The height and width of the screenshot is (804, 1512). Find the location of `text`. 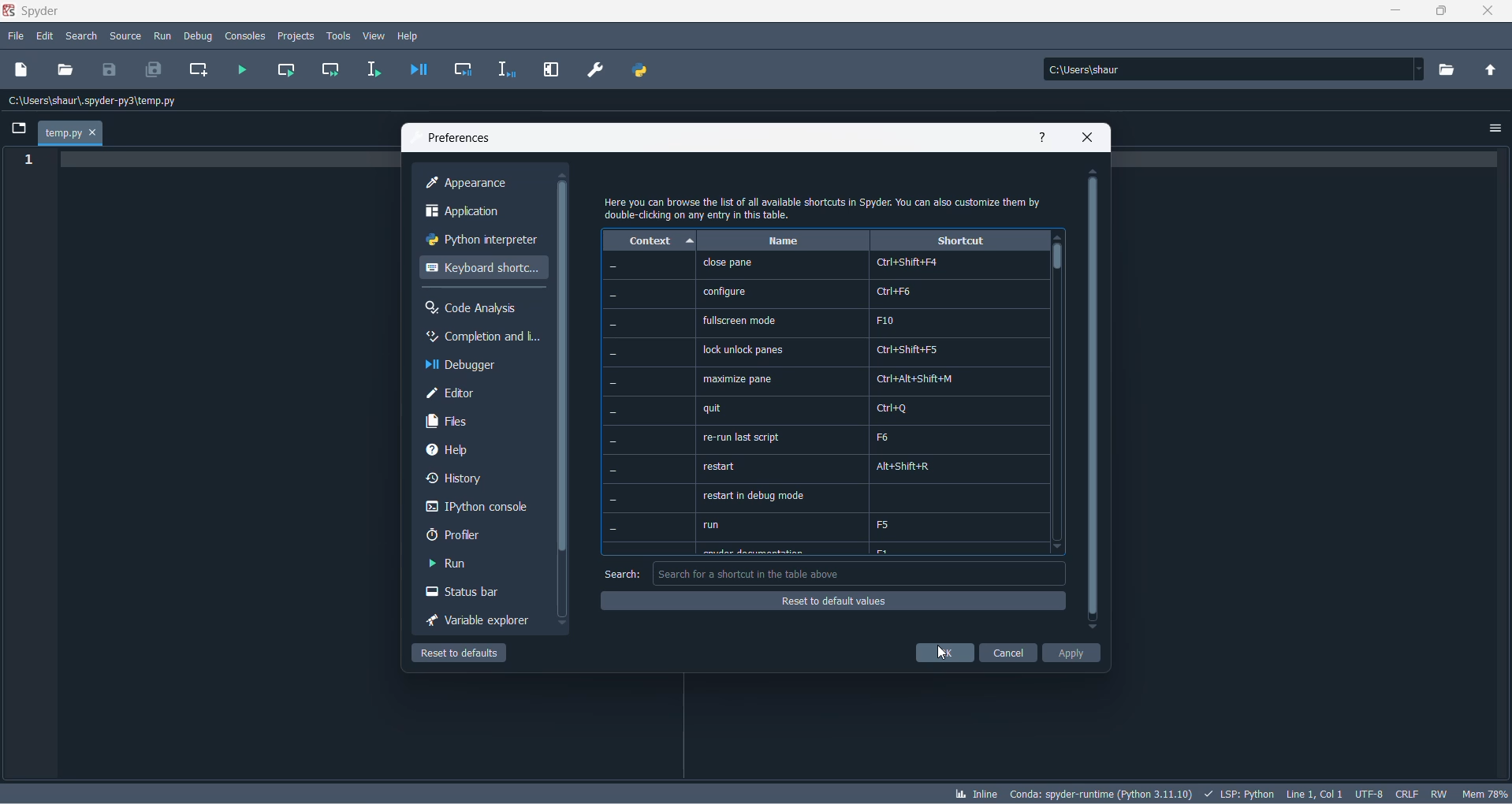

text is located at coordinates (826, 207).